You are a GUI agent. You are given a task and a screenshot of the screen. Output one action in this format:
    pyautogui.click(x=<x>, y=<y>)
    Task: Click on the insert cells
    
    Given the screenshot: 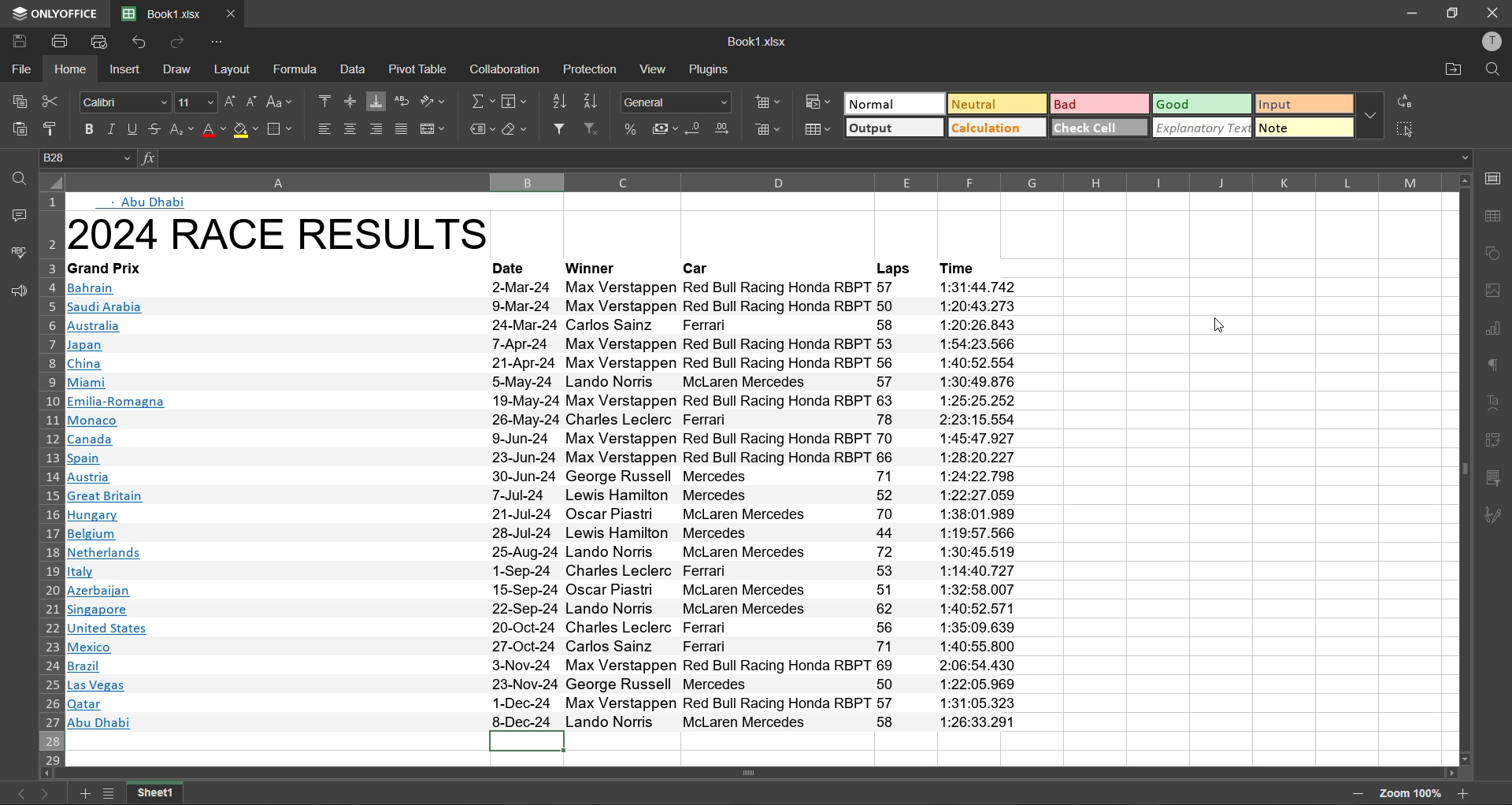 What is the action you would take?
    pyautogui.click(x=766, y=102)
    